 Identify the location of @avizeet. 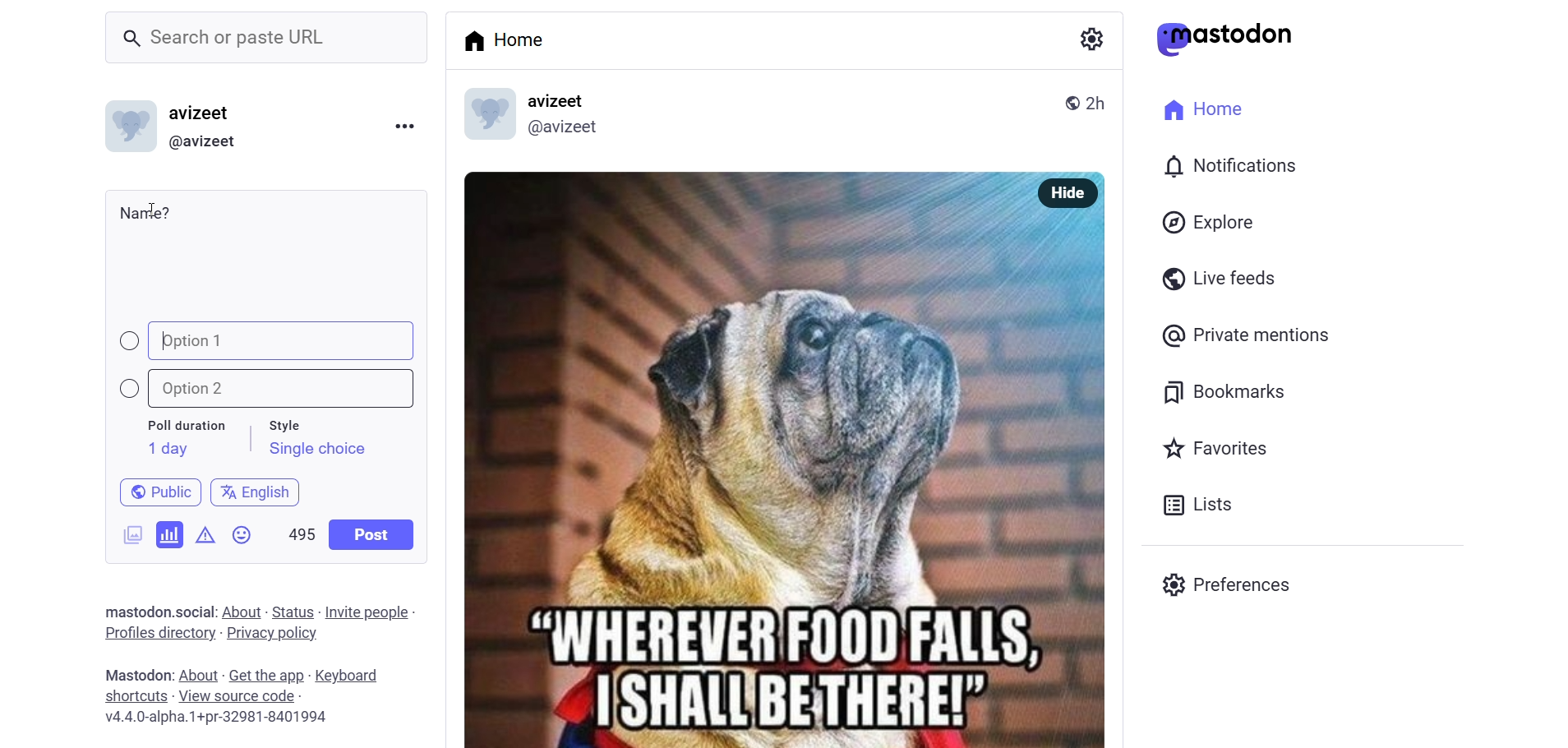
(202, 142).